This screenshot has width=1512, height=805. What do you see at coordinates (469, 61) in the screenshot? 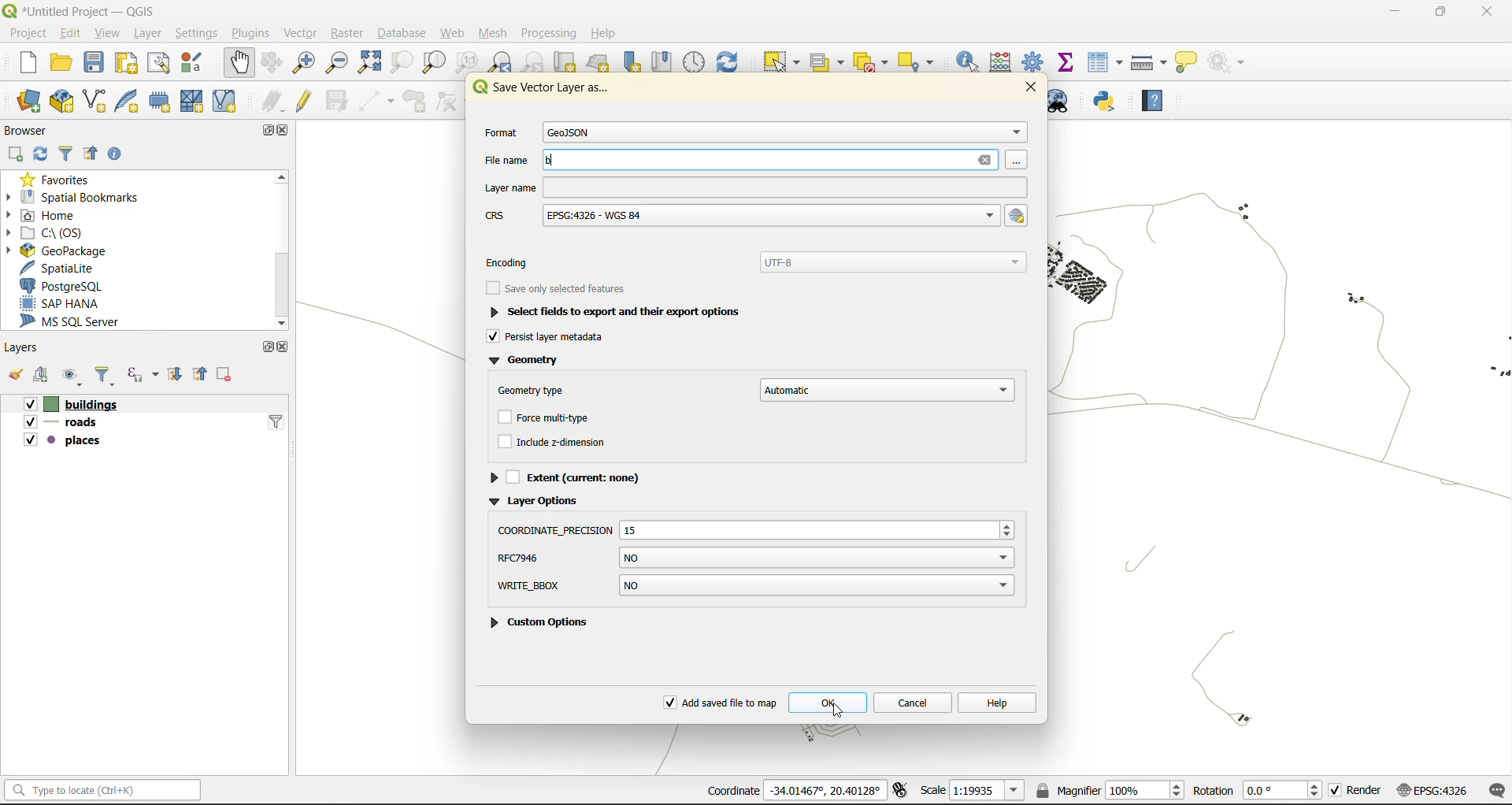
I see `zoom native` at bounding box center [469, 61].